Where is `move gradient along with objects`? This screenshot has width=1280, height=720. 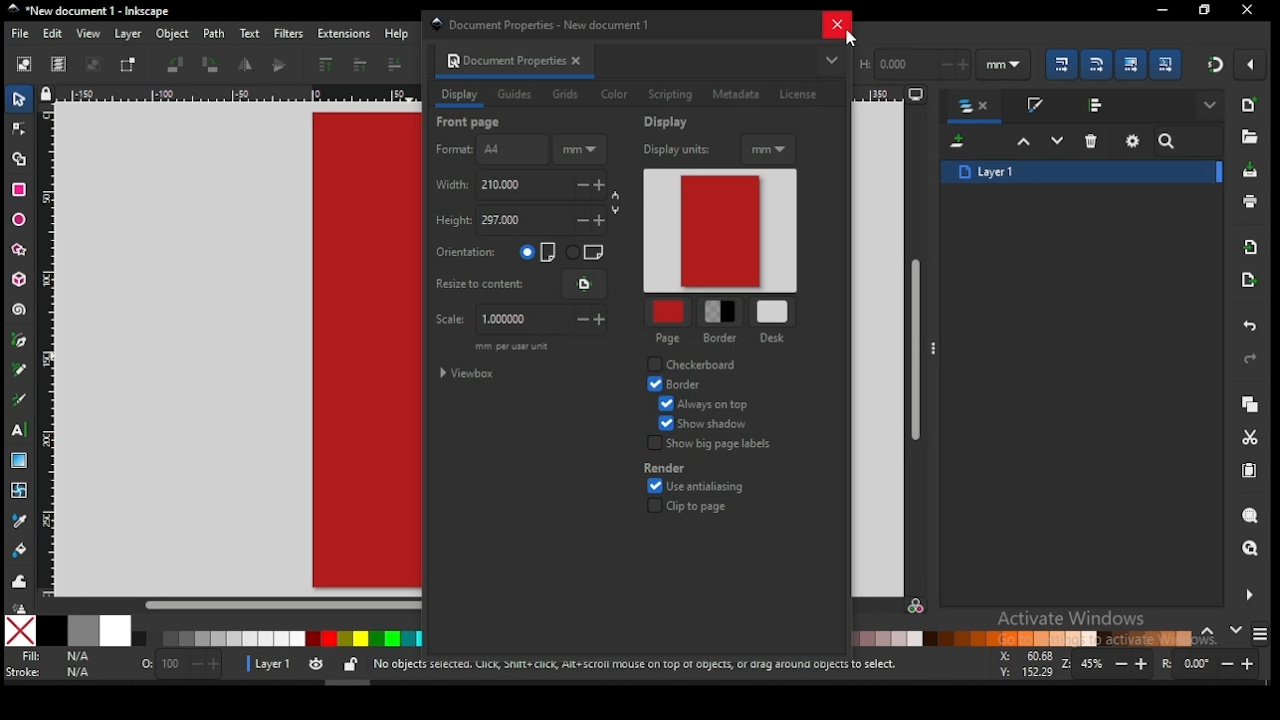 move gradient along with objects is located at coordinates (1131, 64).